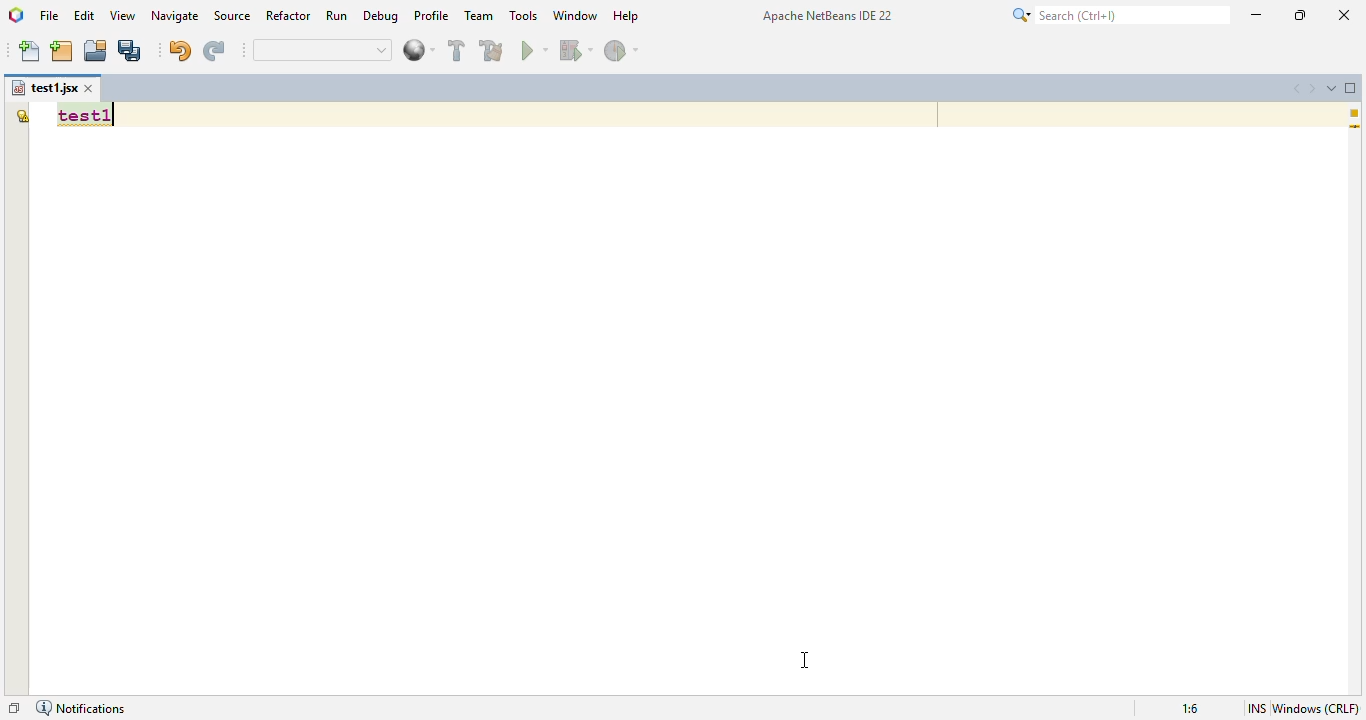  Describe the element at coordinates (131, 50) in the screenshot. I see `save all` at that location.